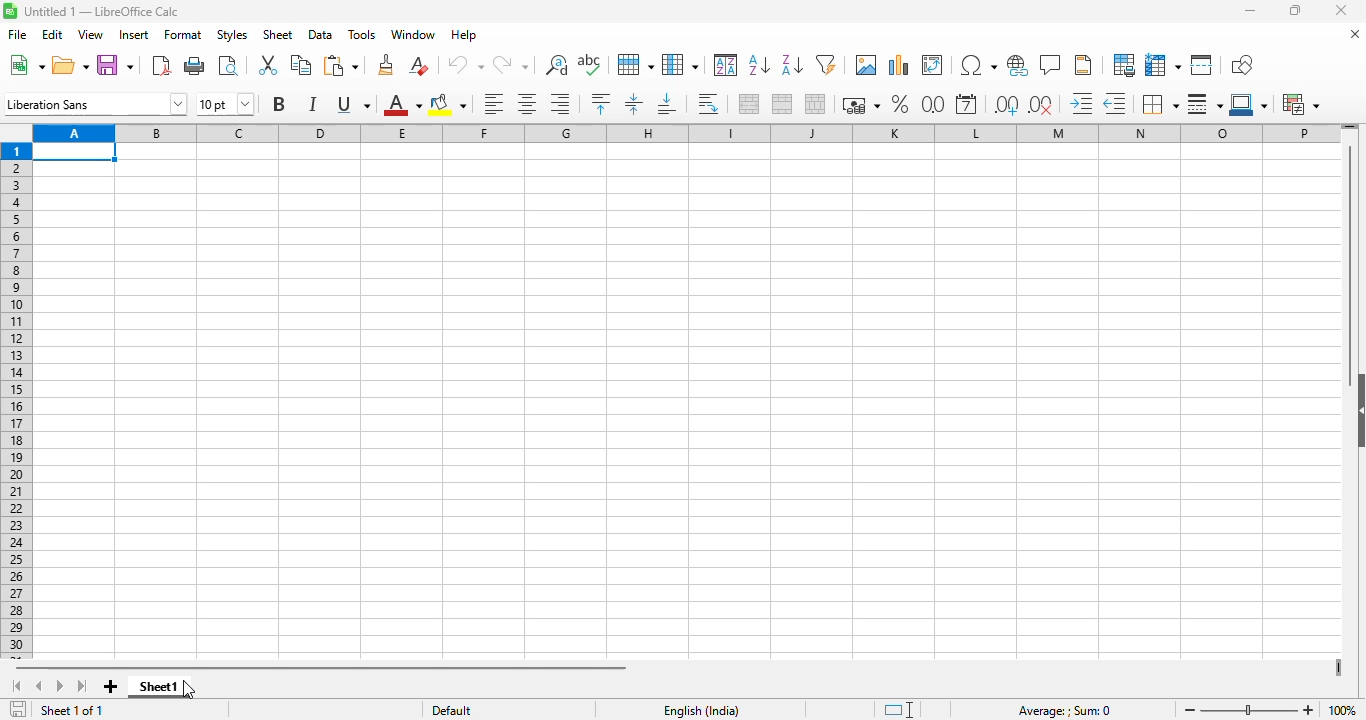 This screenshot has width=1366, height=720. Describe the element at coordinates (16, 400) in the screenshot. I see `rows` at that location.